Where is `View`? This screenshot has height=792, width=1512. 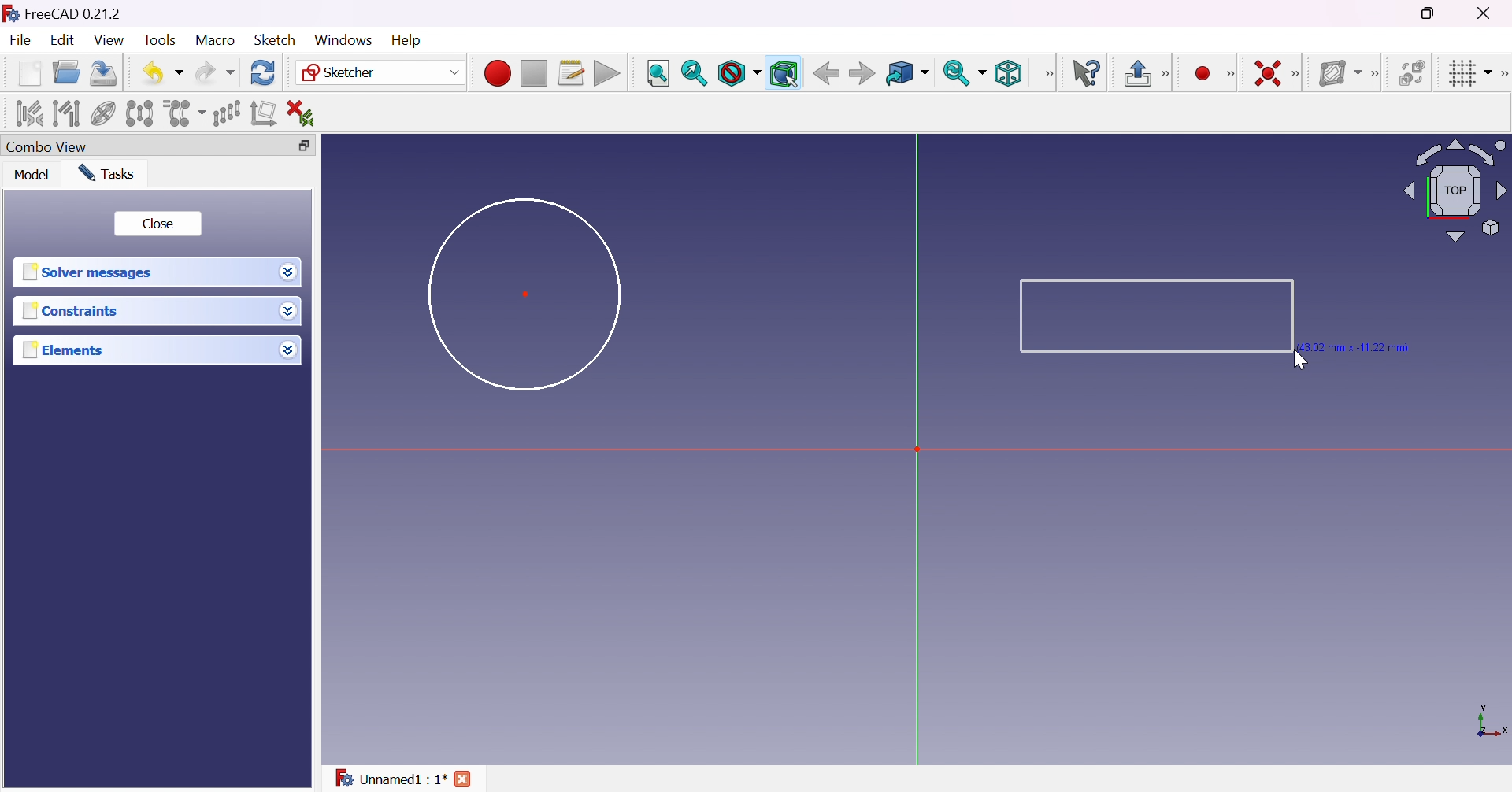 View is located at coordinates (110, 41).